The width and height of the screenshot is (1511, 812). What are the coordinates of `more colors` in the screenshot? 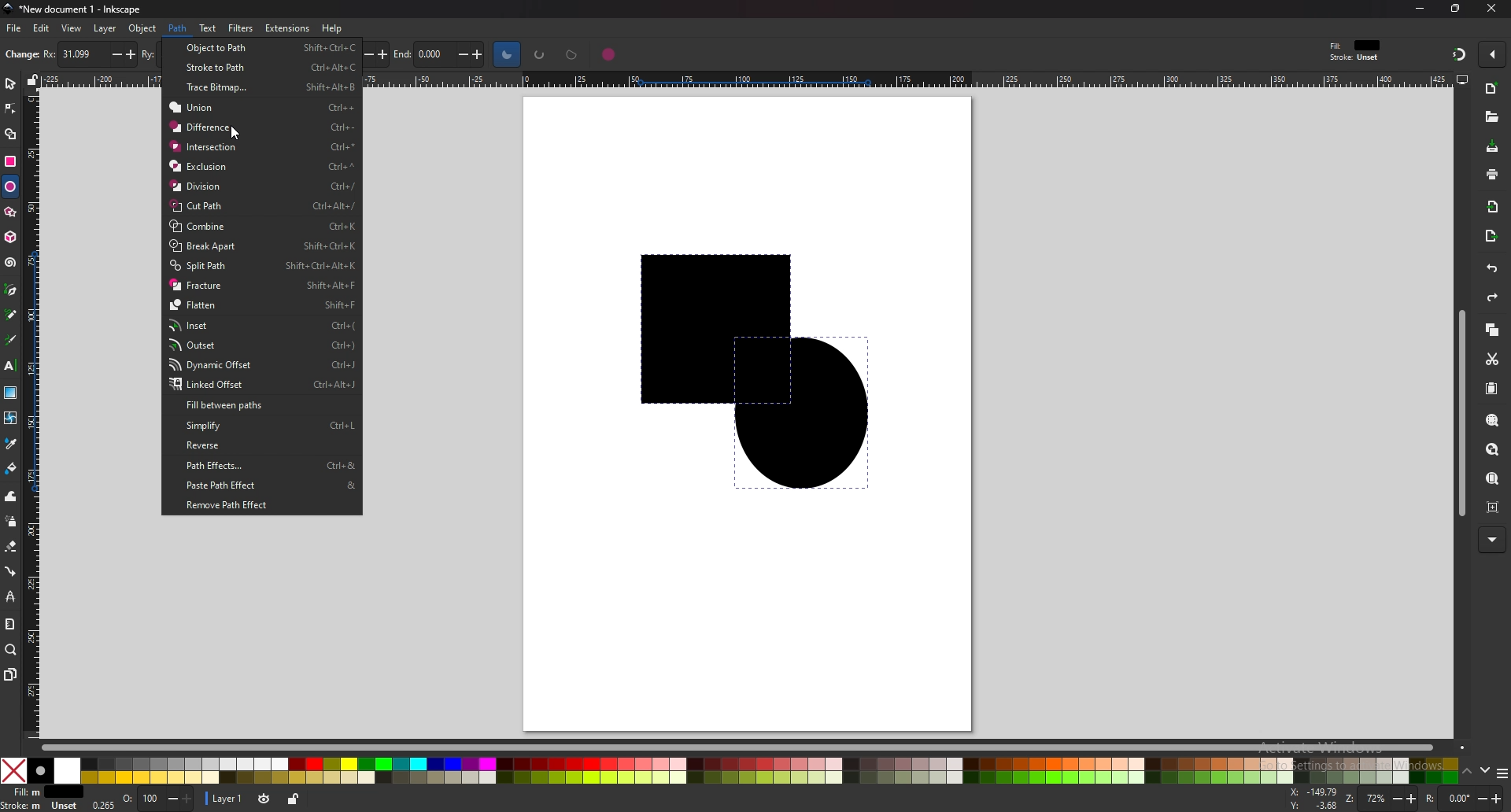 It's located at (1502, 773).